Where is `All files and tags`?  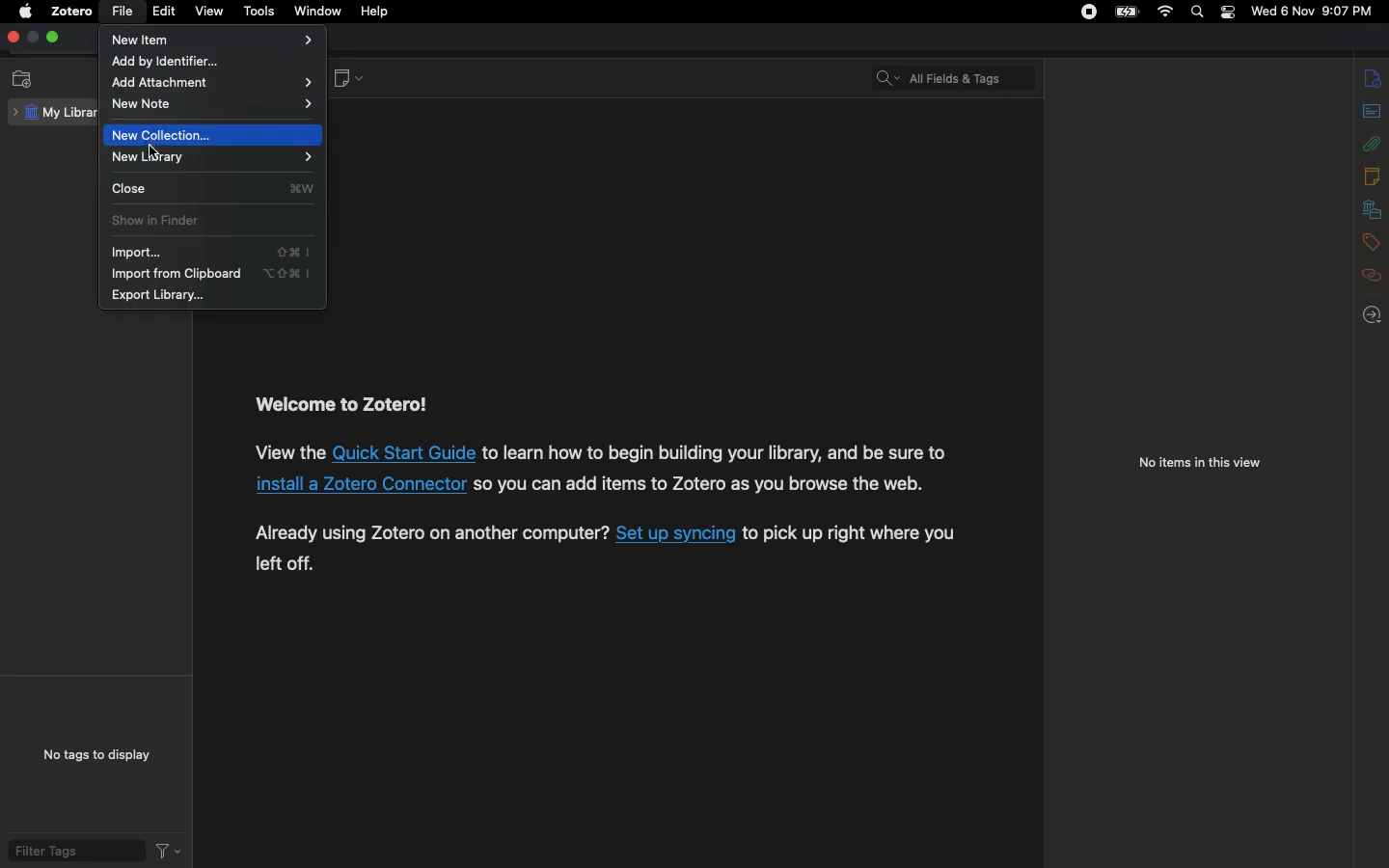
All files and tags is located at coordinates (959, 73).